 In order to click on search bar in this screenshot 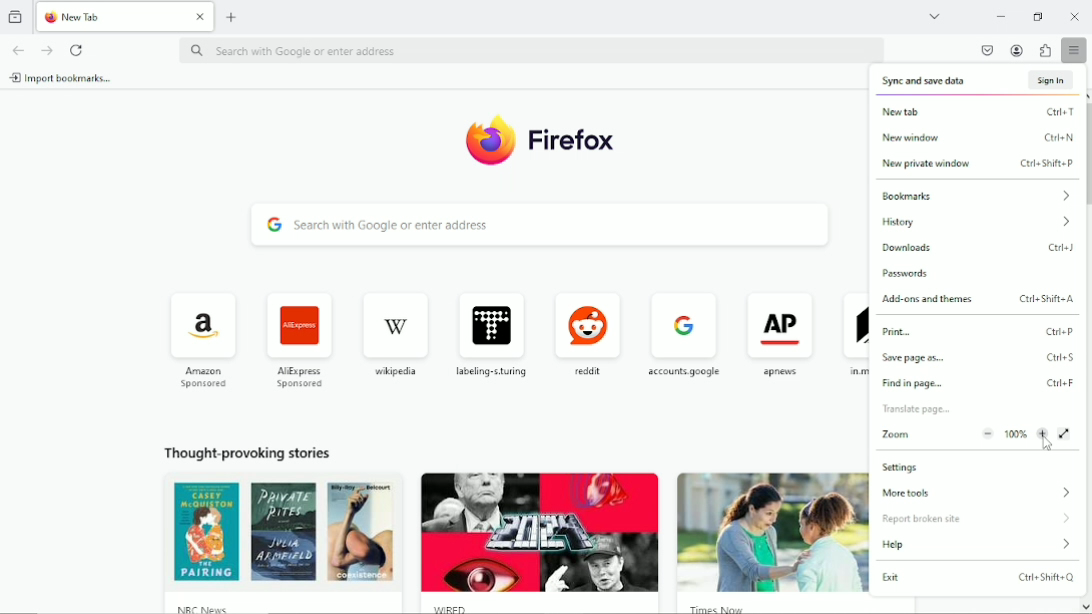, I will do `click(538, 226)`.